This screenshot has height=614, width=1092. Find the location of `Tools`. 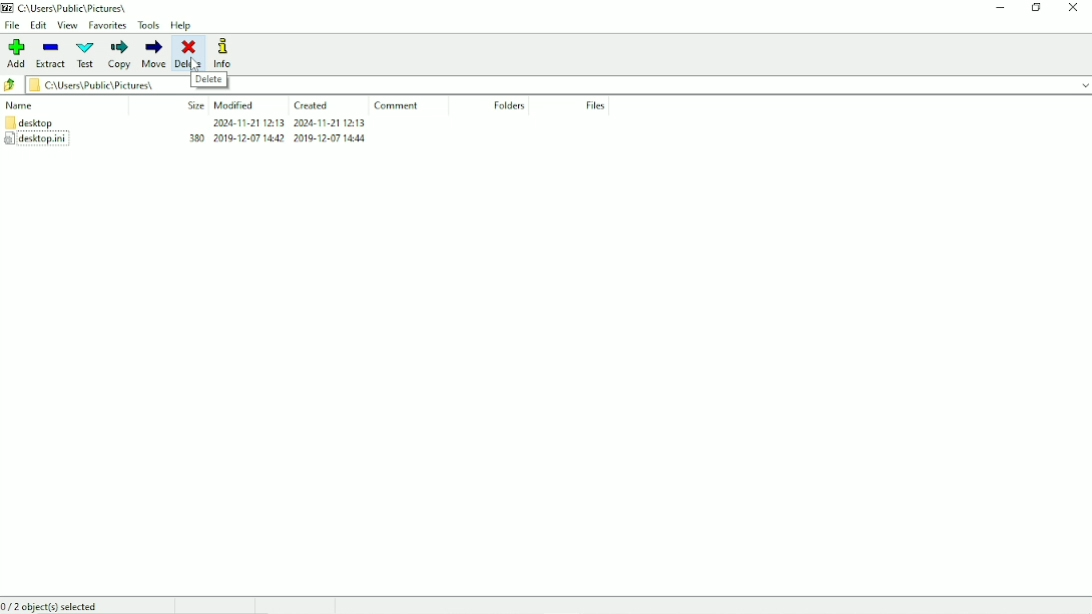

Tools is located at coordinates (149, 26).